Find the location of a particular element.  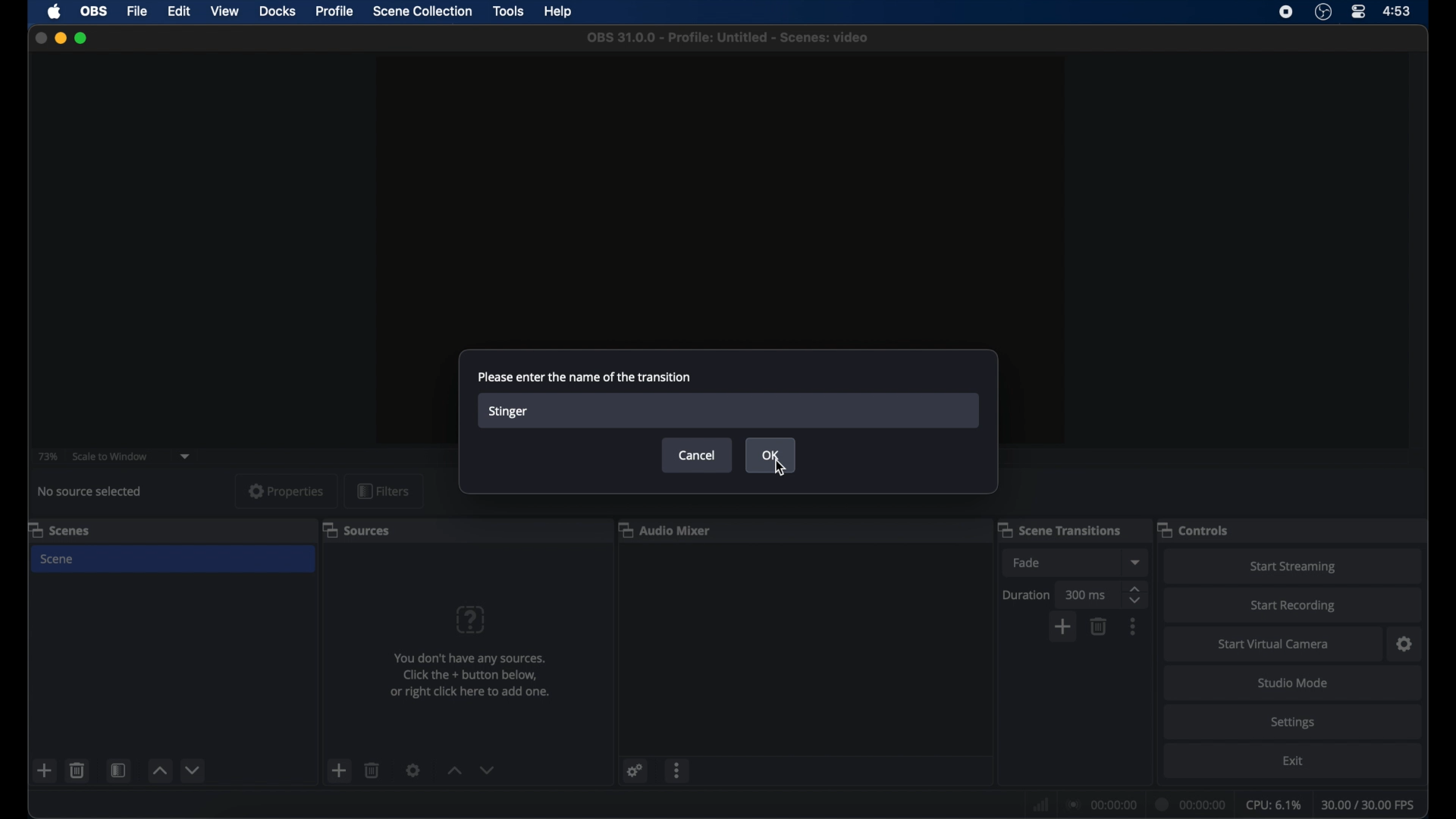

duration is located at coordinates (1027, 595).